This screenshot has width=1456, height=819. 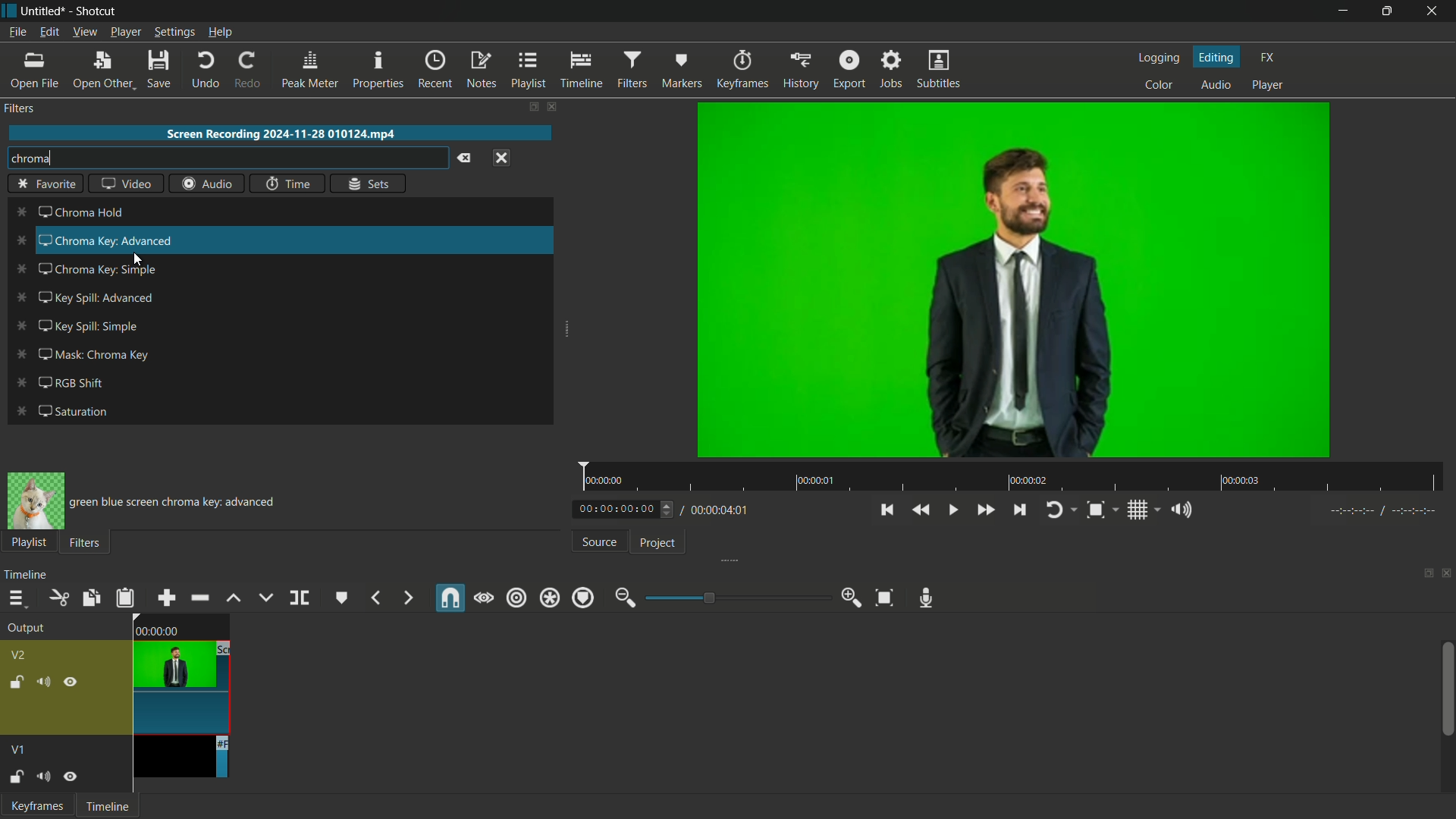 What do you see at coordinates (98, 272) in the screenshot?
I see `chroma key simple` at bounding box center [98, 272].